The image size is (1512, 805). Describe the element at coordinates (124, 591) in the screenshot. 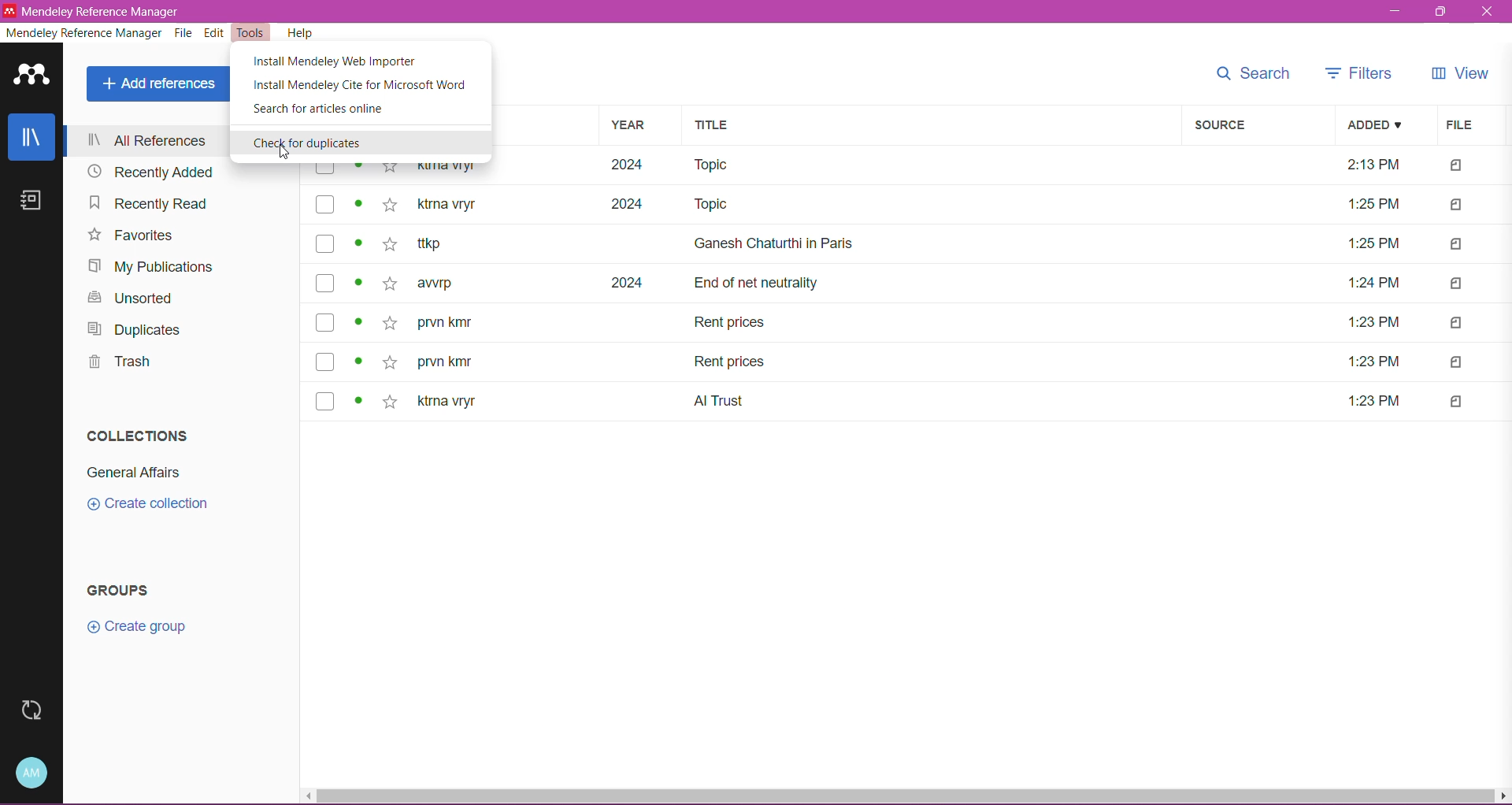

I see `Groups` at that location.